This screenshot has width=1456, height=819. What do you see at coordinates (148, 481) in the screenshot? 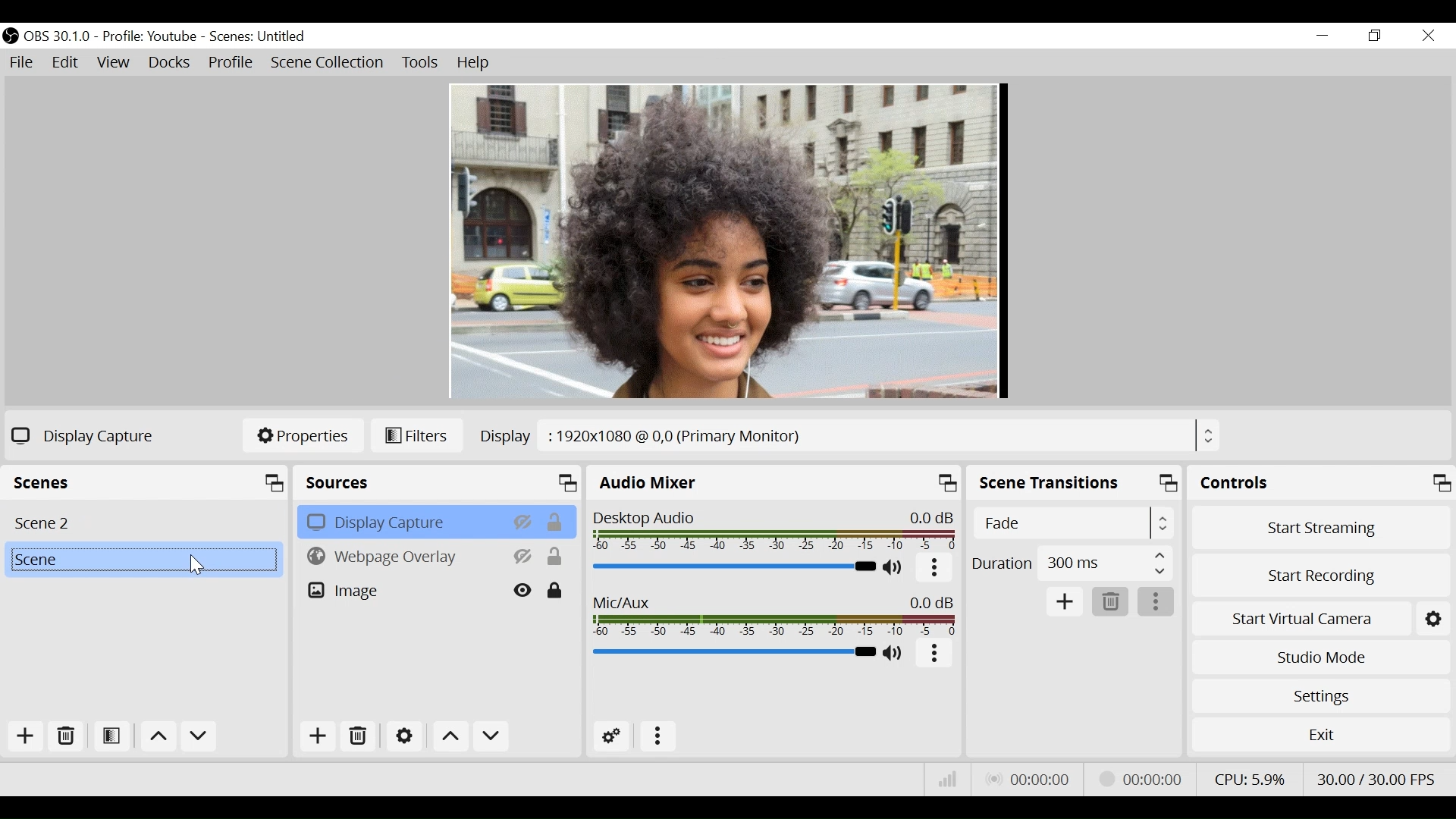
I see `Scene` at bounding box center [148, 481].